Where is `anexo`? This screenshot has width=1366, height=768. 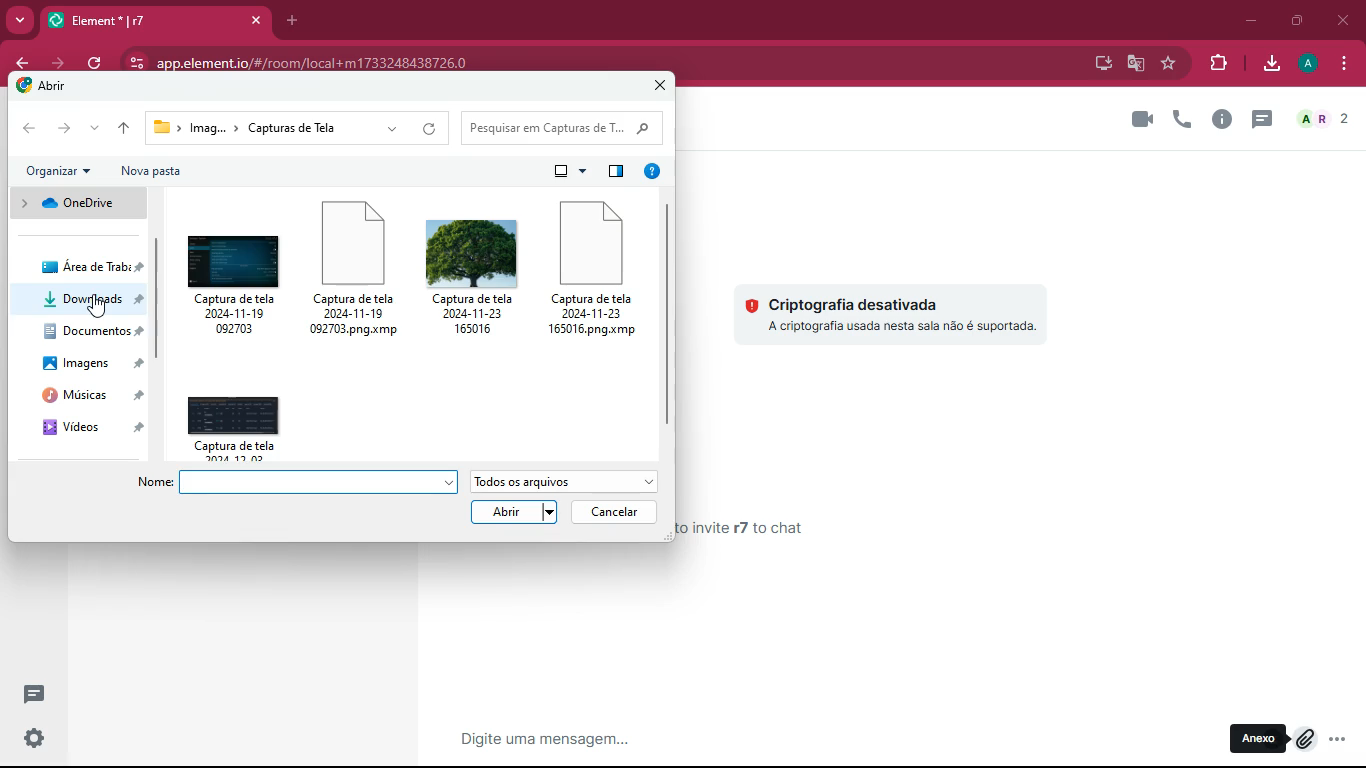 anexo is located at coordinates (1260, 740).